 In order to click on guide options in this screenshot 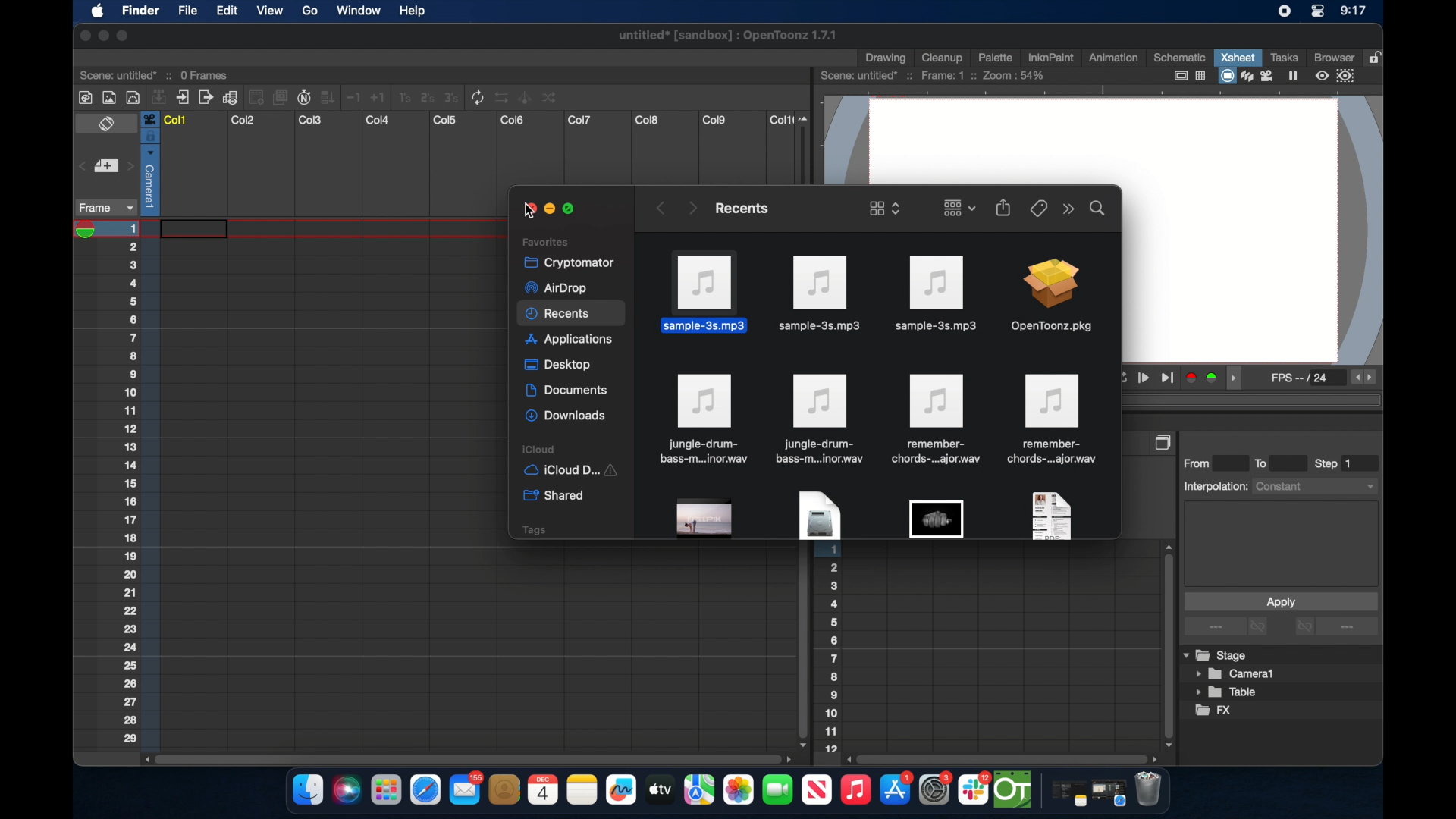, I will do `click(1188, 76)`.